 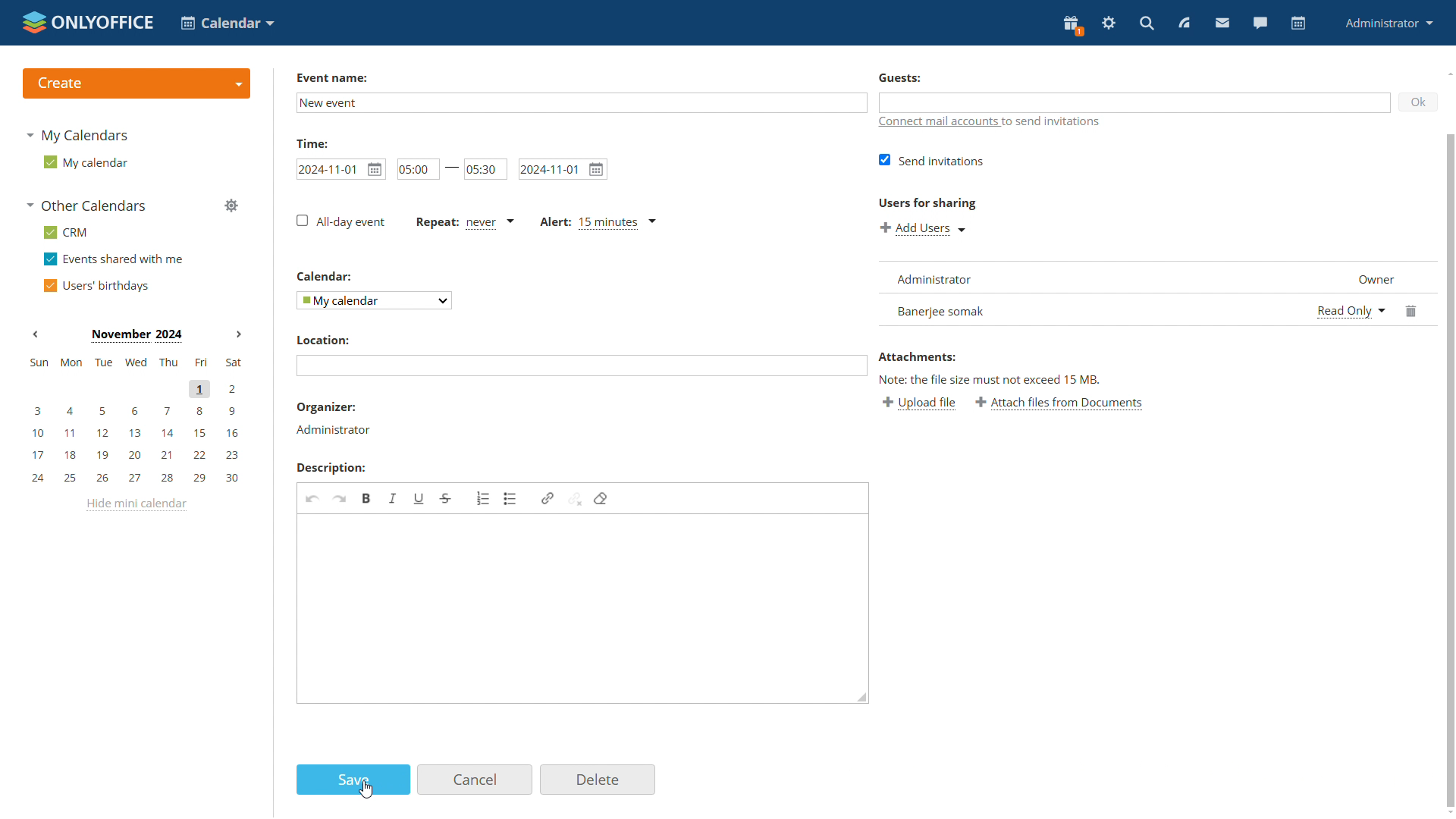 What do you see at coordinates (419, 498) in the screenshot?
I see `Underline` at bounding box center [419, 498].